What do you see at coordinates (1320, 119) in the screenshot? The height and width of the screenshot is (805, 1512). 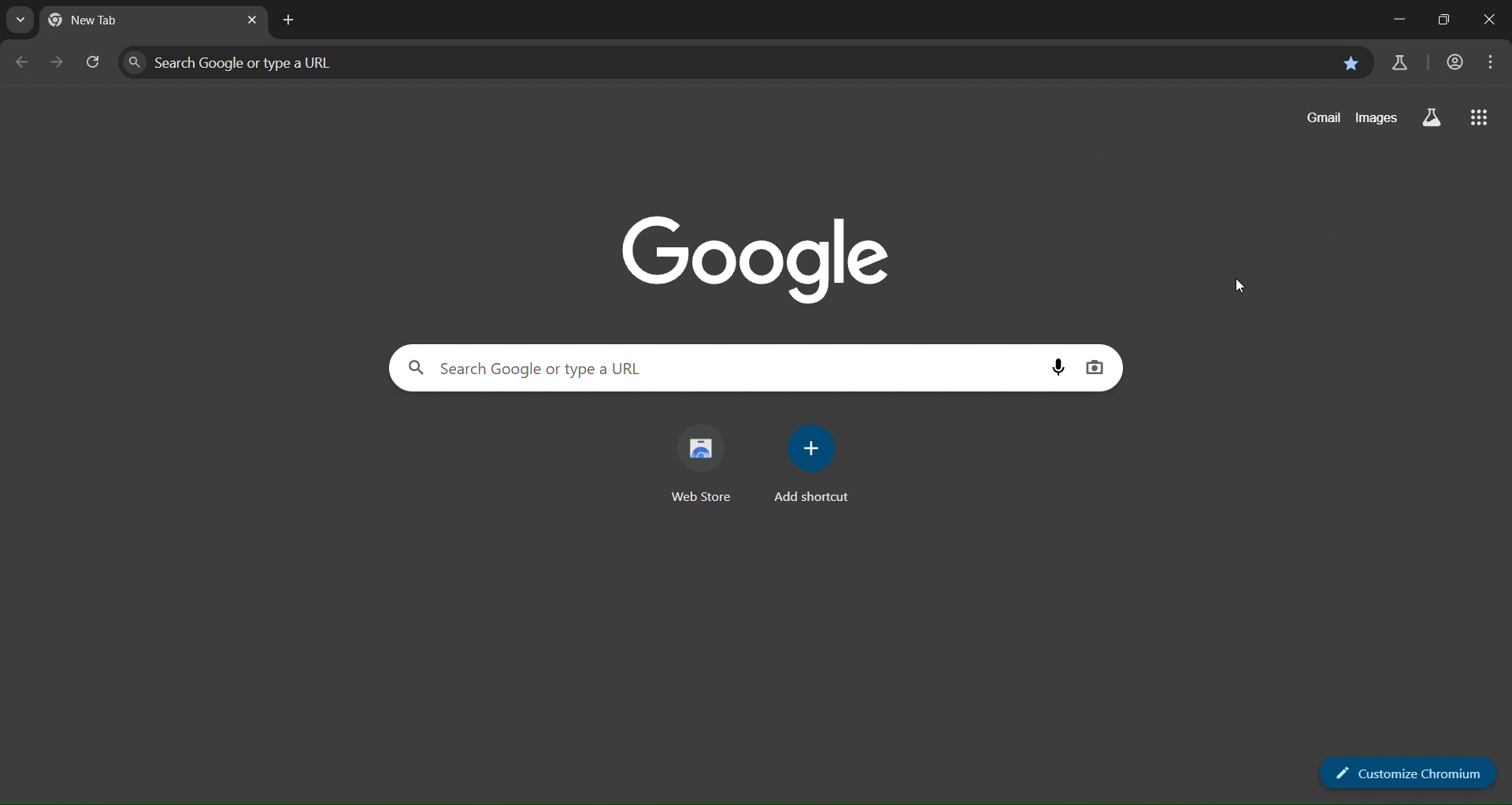 I see `gmail ` at bounding box center [1320, 119].